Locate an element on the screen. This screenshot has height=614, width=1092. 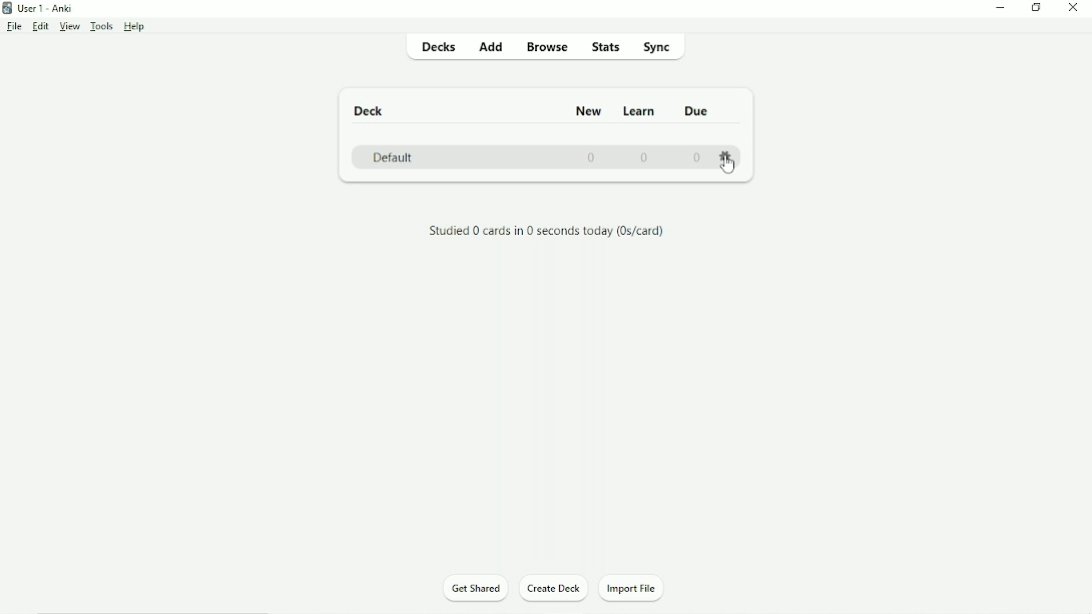
New is located at coordinates (590, 112).